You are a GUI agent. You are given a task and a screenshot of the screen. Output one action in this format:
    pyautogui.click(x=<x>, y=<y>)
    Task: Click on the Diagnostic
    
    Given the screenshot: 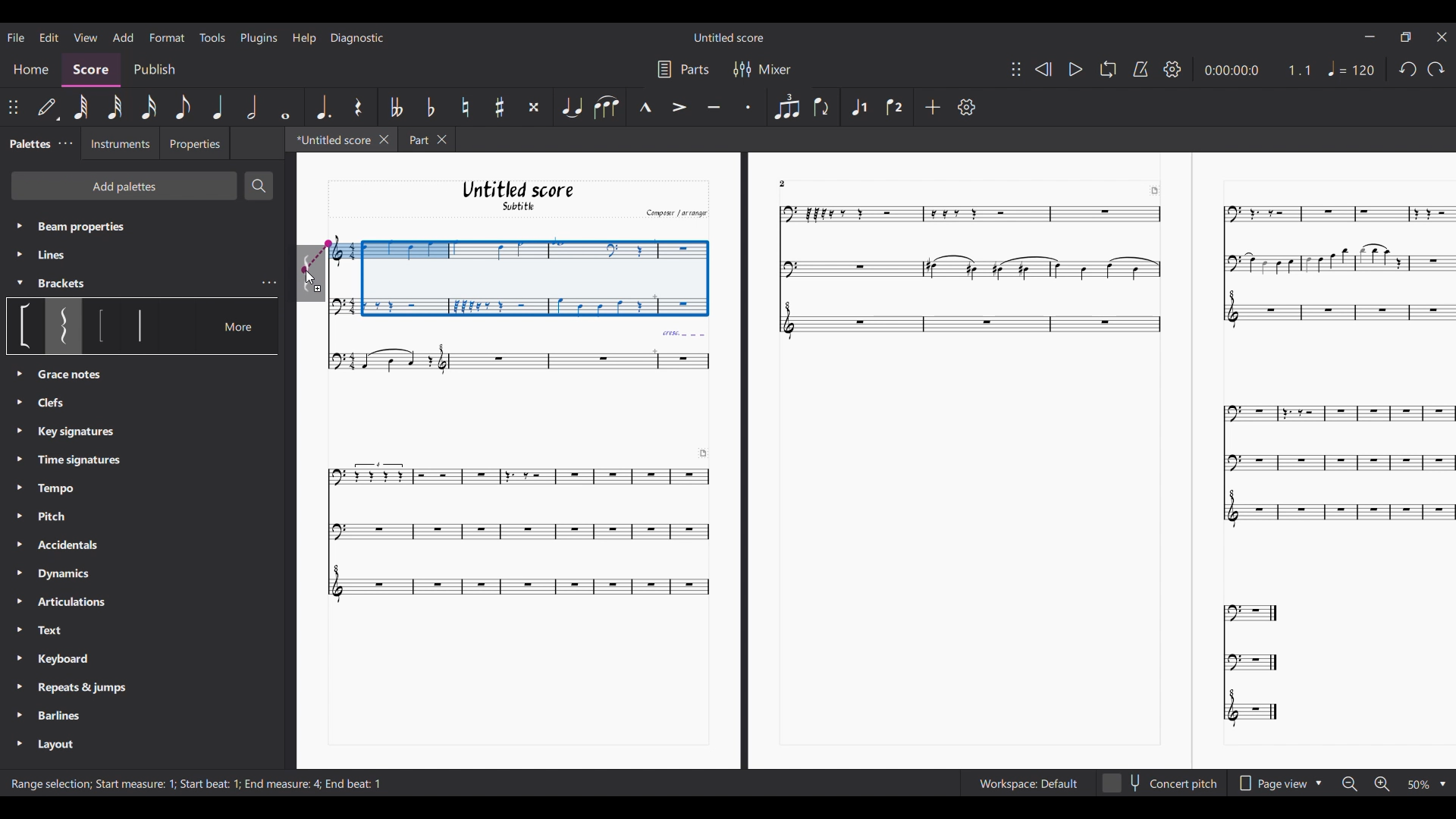 What is the action you would take?
    pyautogui.click(x=357, y=38)
    